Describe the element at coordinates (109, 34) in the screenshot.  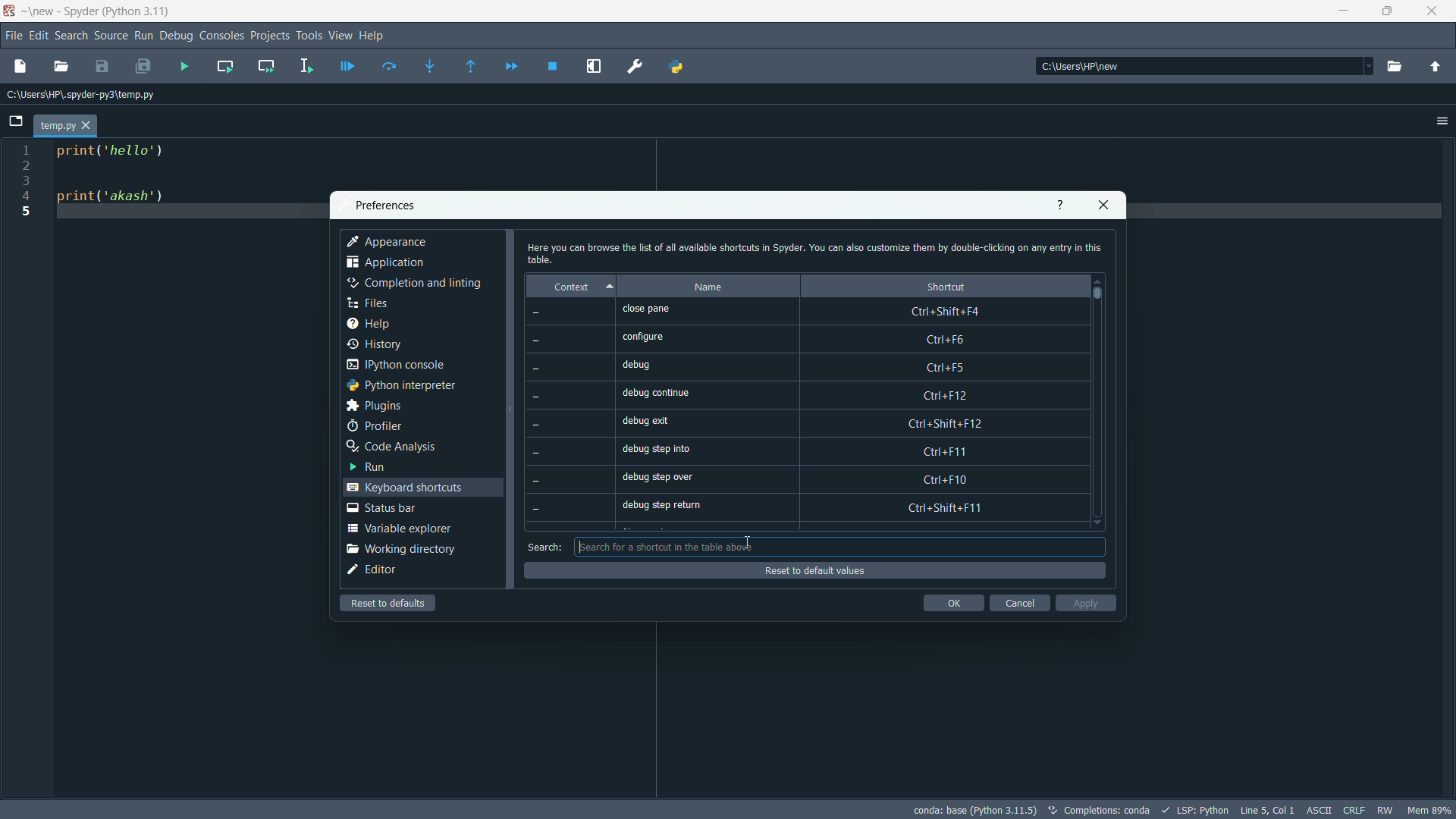
I see `source men` at that location.